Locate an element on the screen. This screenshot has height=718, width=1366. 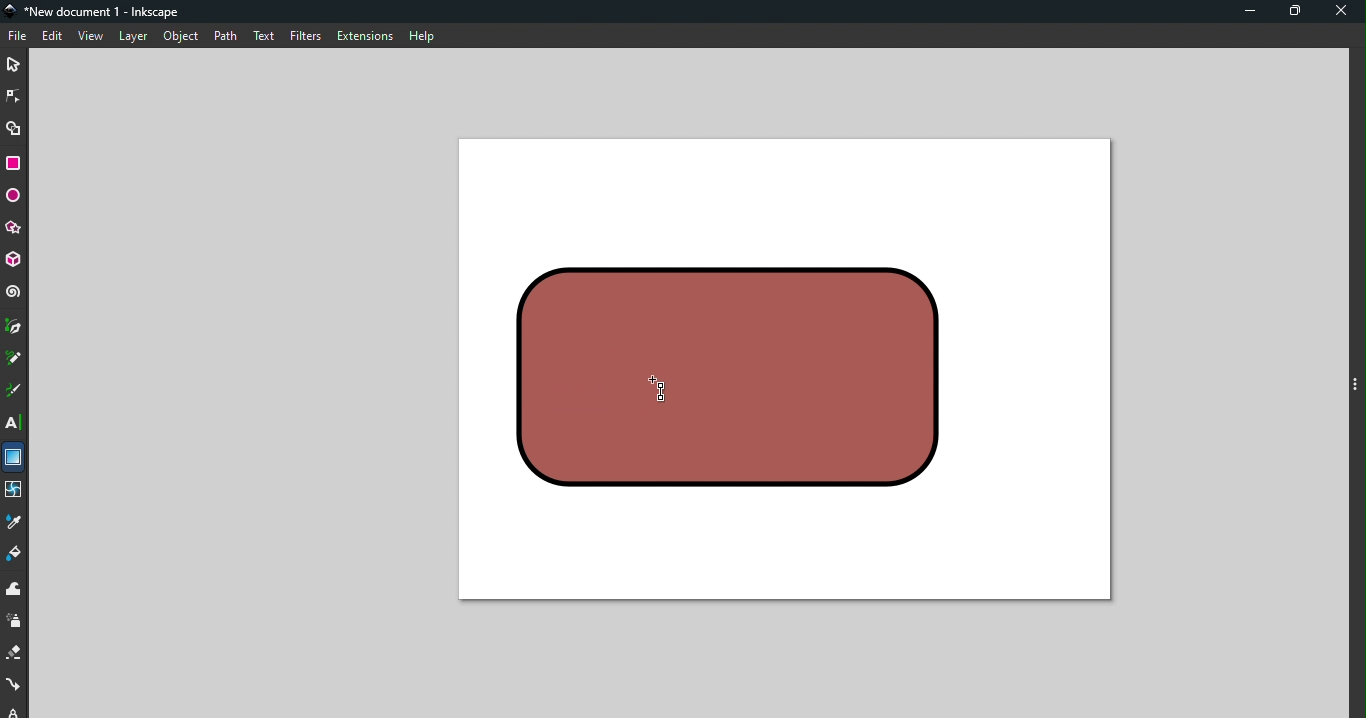
Path is located at coordinates (221, 35).